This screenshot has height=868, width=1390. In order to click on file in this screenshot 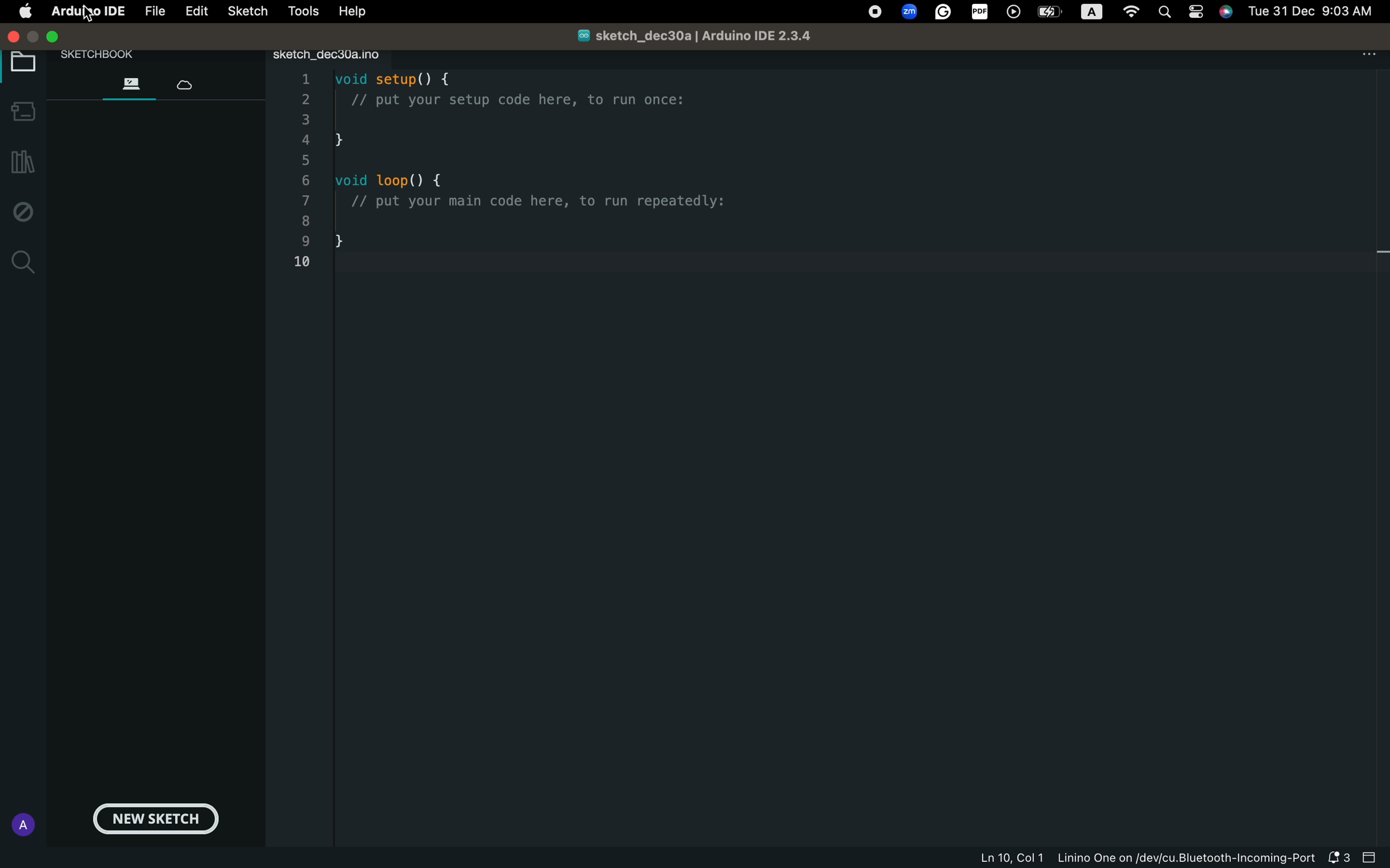, I will do `click(152, 12)`.